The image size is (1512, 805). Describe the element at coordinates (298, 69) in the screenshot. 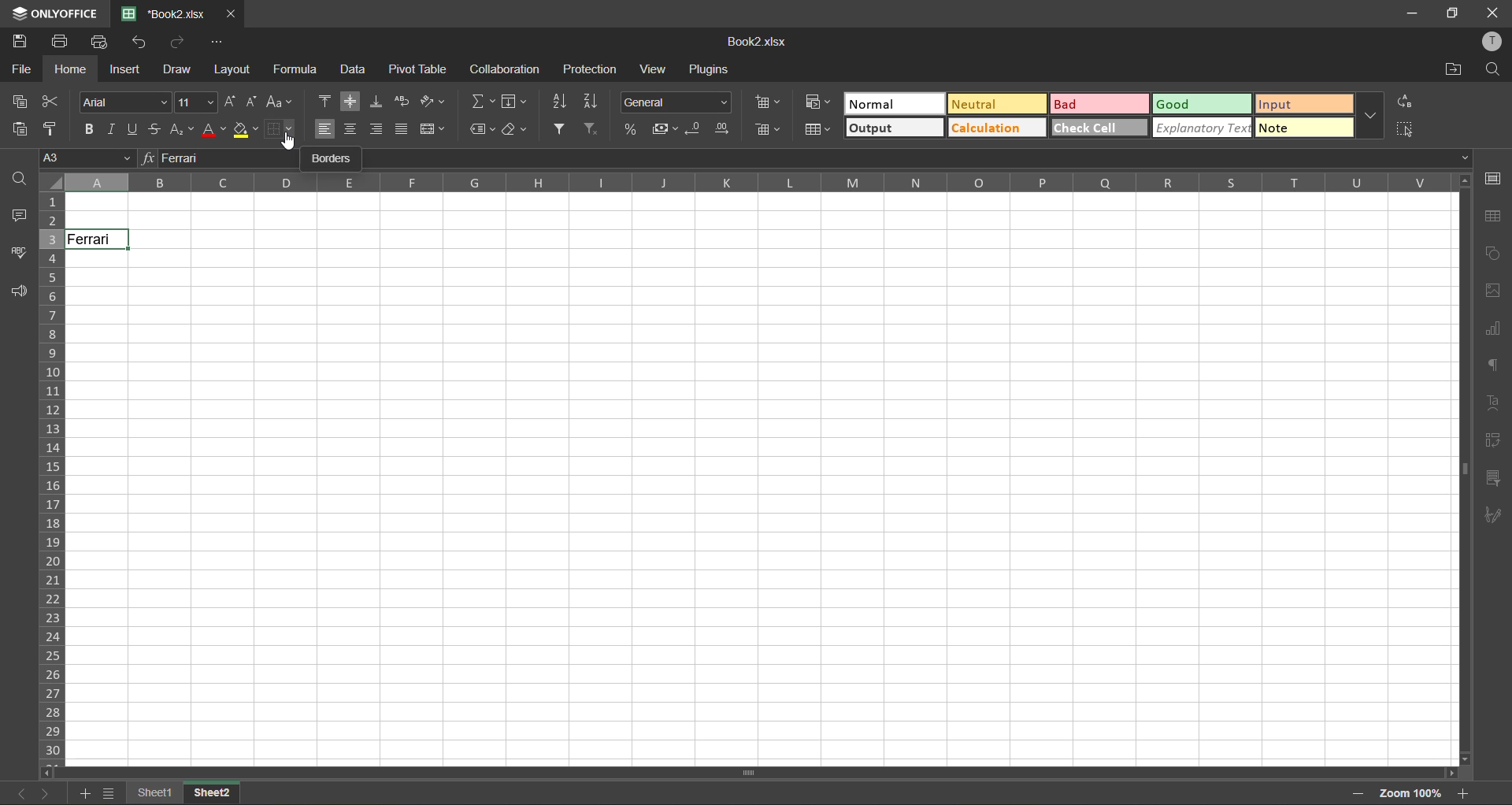

I see `formula` at that location.